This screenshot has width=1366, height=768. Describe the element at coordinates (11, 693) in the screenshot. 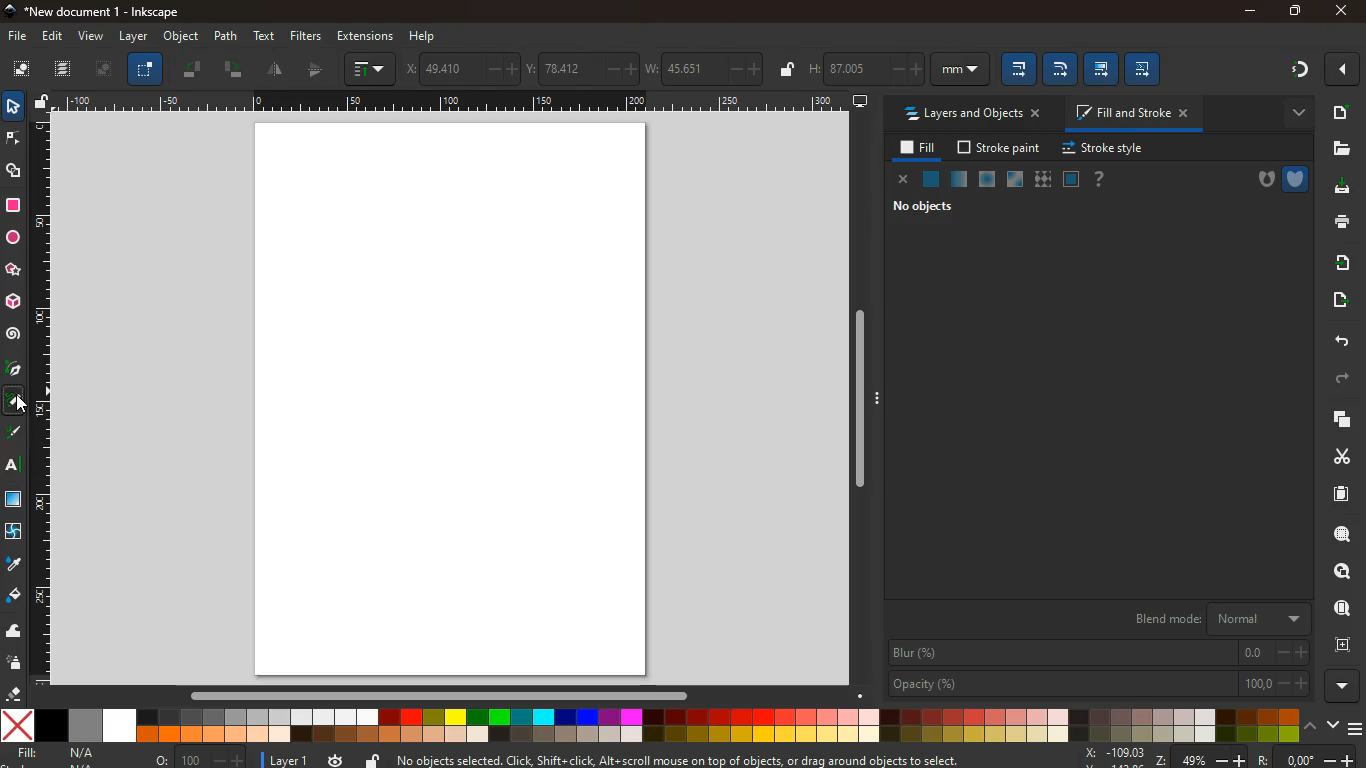

I see `erase` at that location.